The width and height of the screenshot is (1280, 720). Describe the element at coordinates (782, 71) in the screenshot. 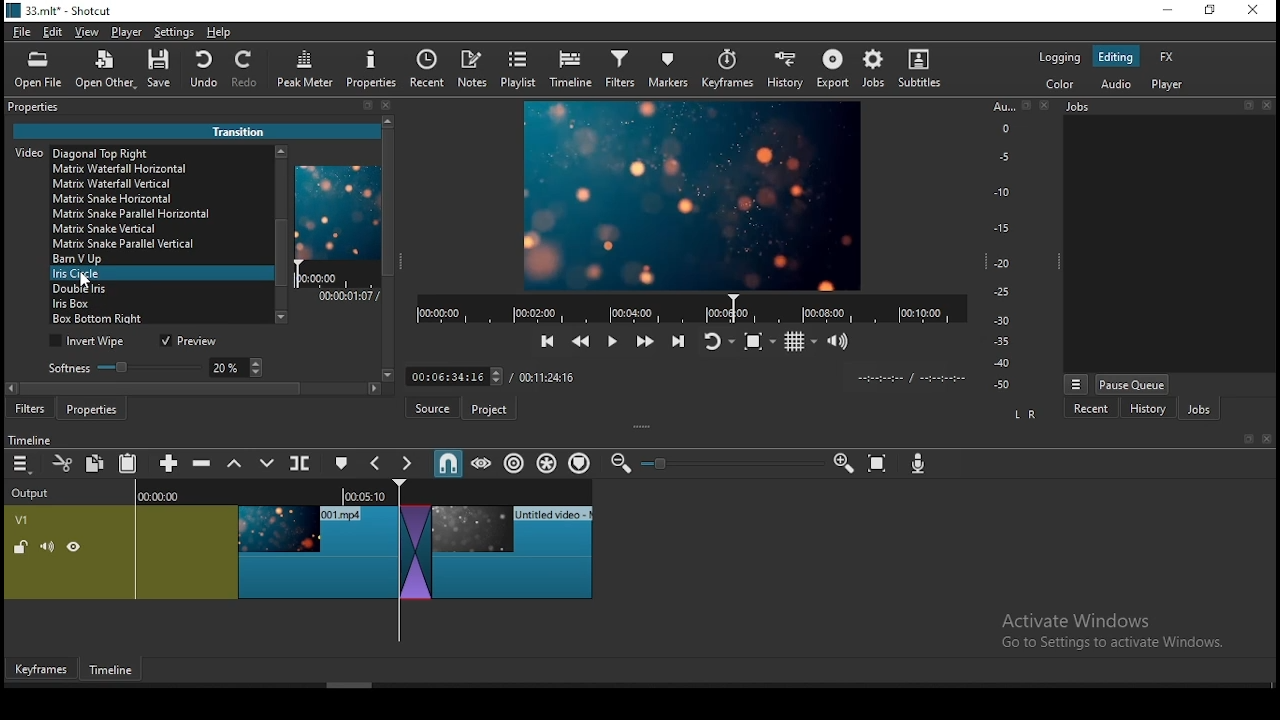

I see `history` at that location.